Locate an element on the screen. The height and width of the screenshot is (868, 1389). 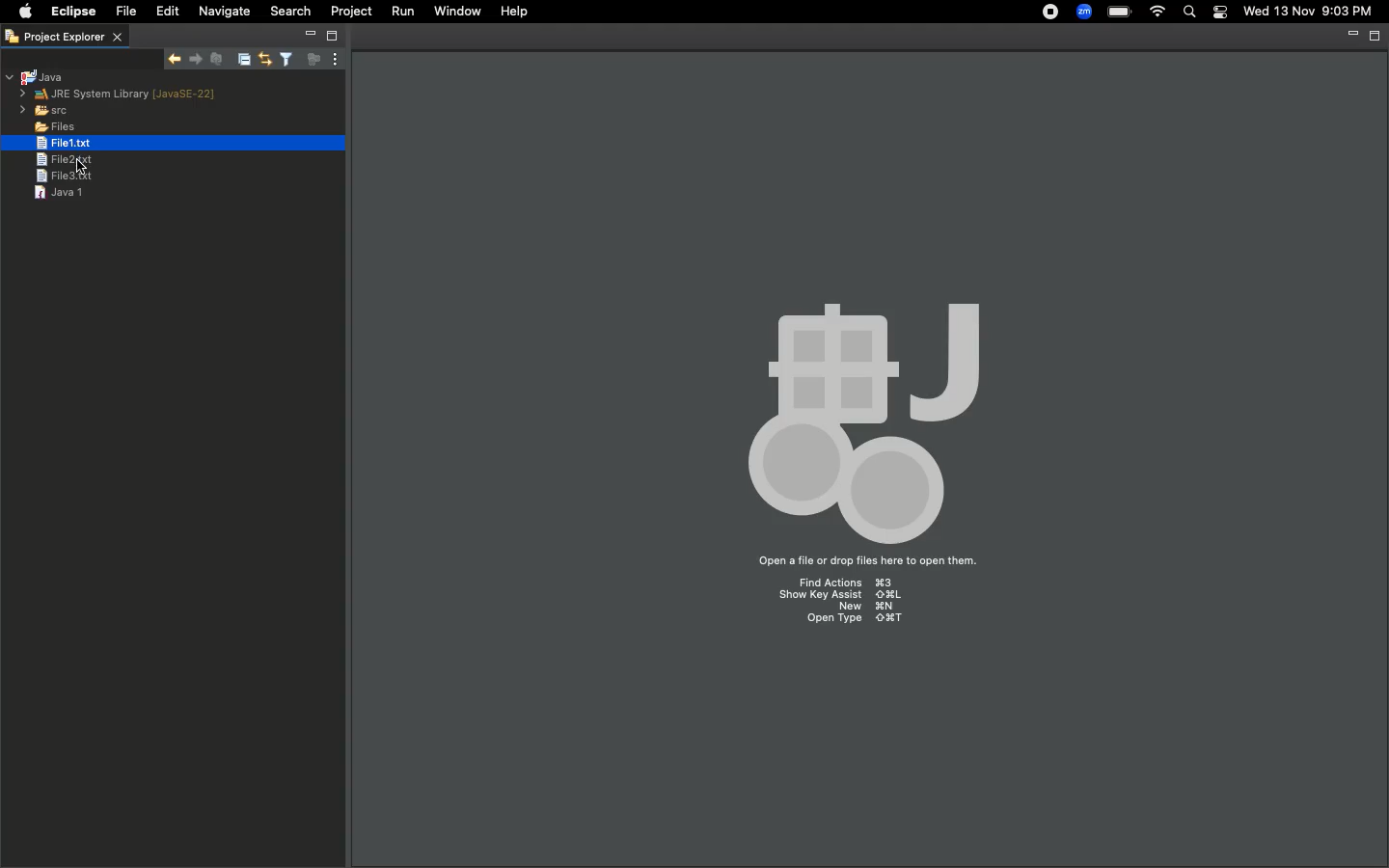
Java is located at coordinates (38, 77).